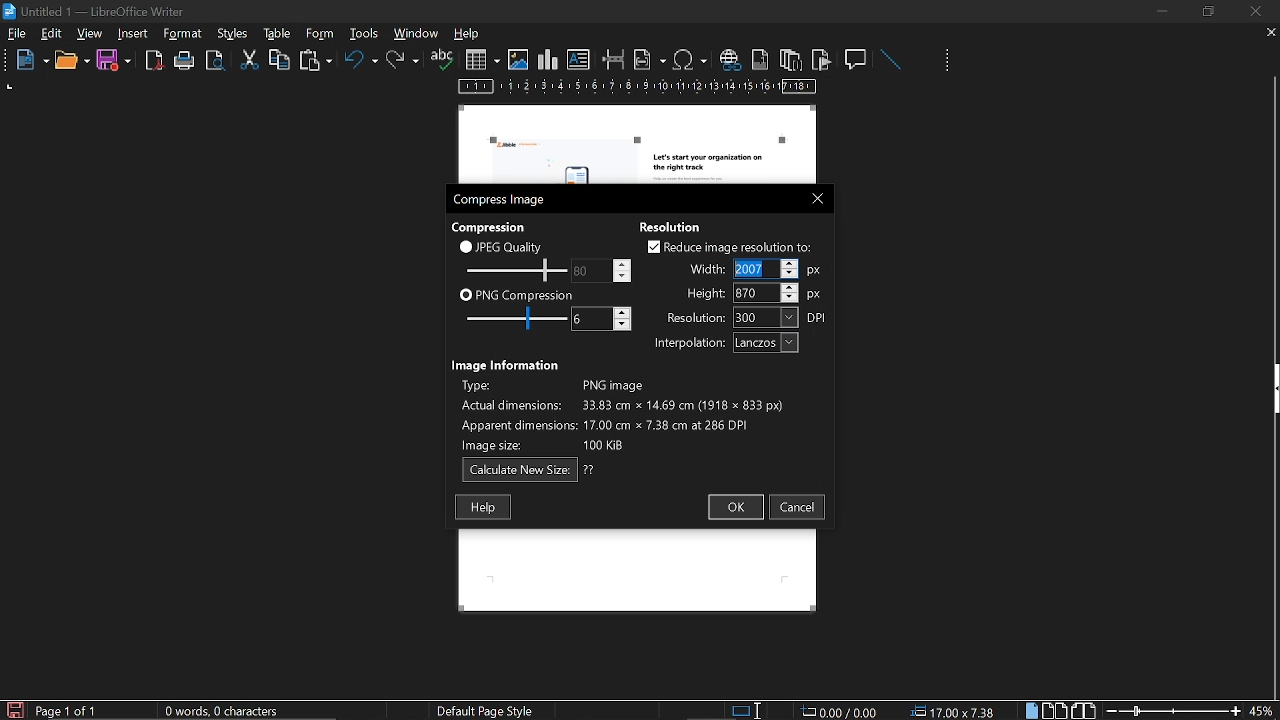 Image resolution: width=1280 pixels, height=720 pixels. I want to click on interpolation, so click(722, 343).